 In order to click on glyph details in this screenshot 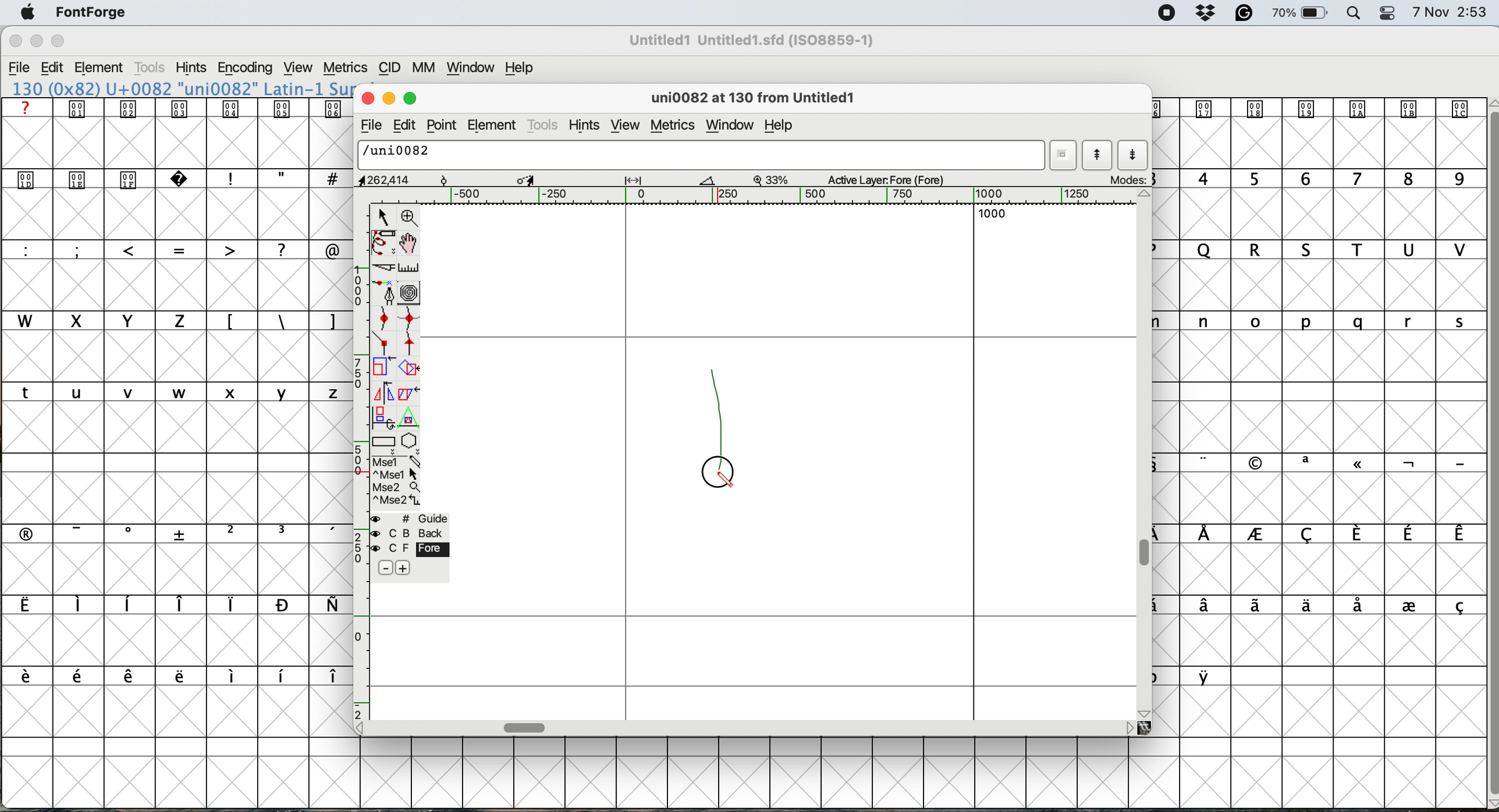, I will do `click(759, 99)`.